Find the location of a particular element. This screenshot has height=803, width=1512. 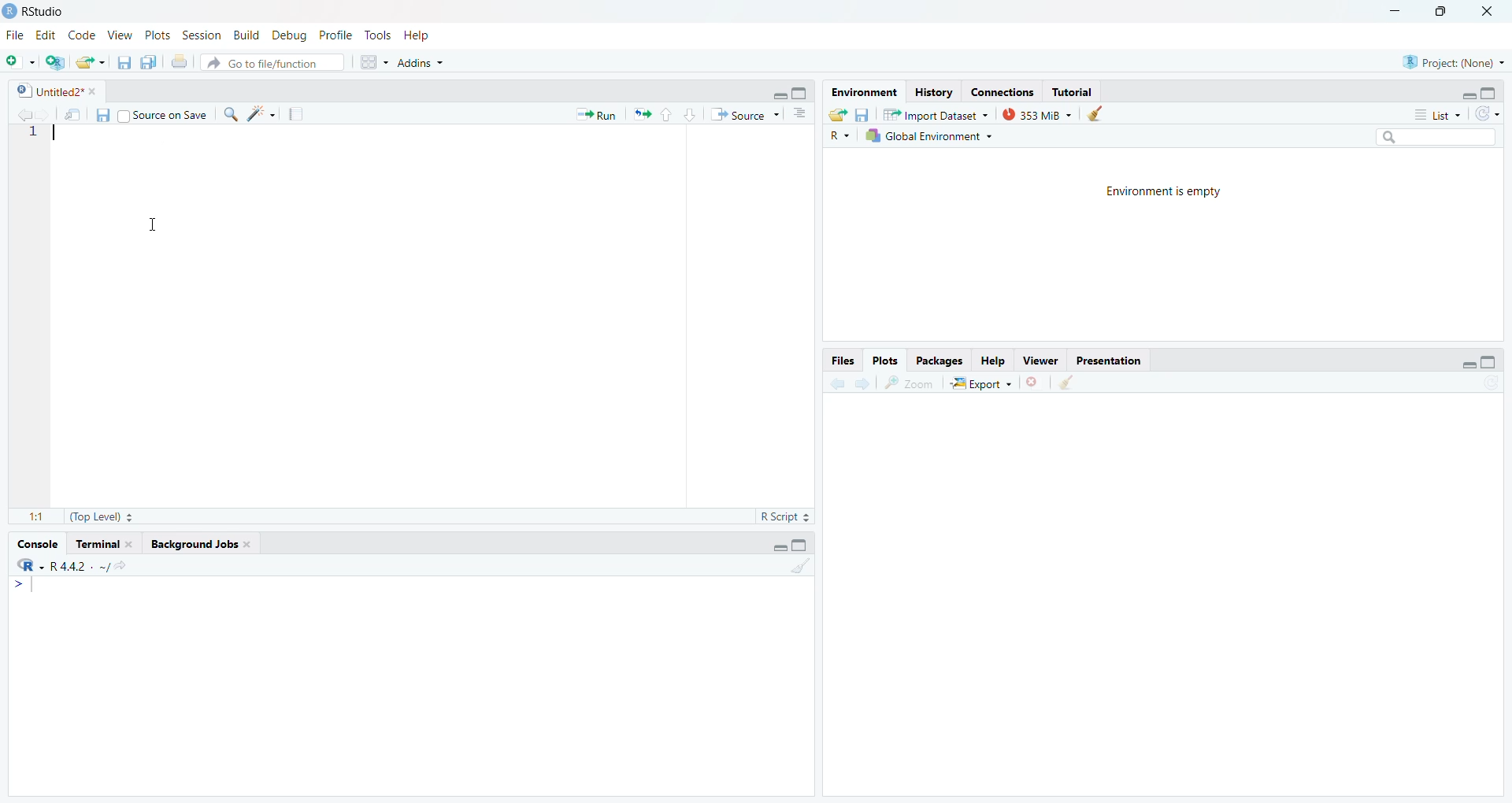

cursor is located at coordinates (161, 141).